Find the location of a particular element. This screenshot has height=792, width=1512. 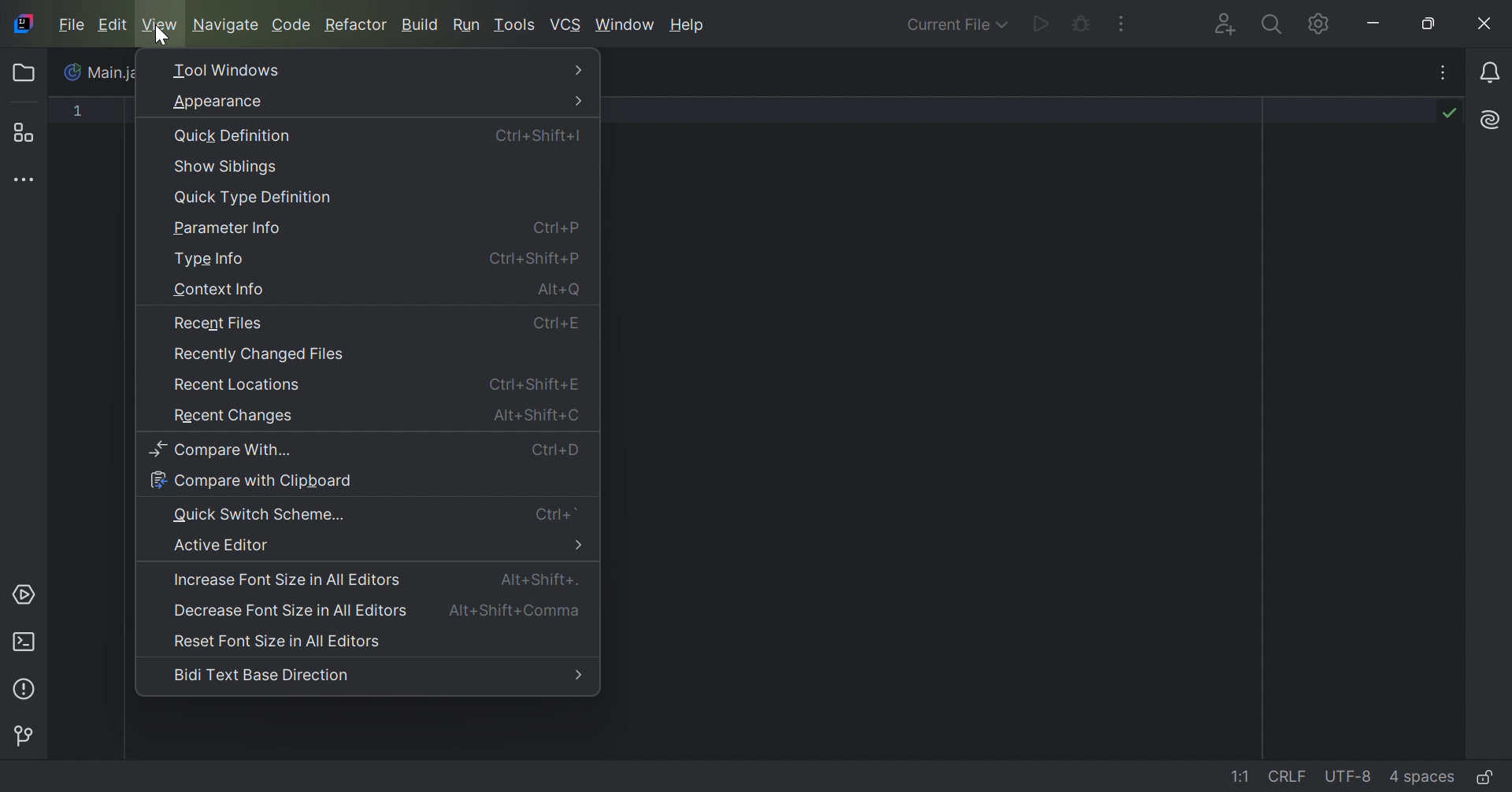

Show siblings is located at coordinates (228, 167).